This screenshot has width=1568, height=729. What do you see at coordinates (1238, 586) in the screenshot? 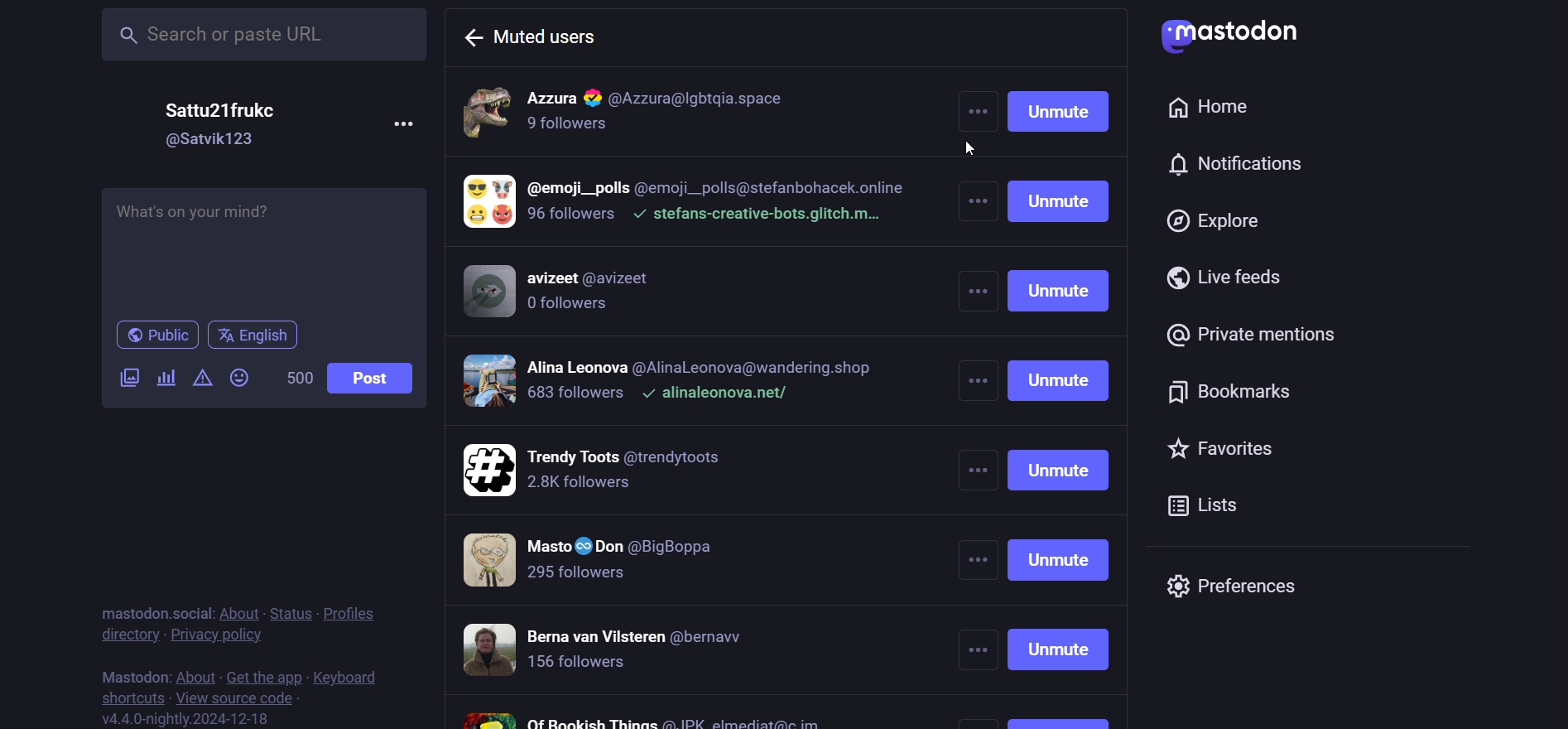
I see `preferences` at bounding box center [1238, 586].